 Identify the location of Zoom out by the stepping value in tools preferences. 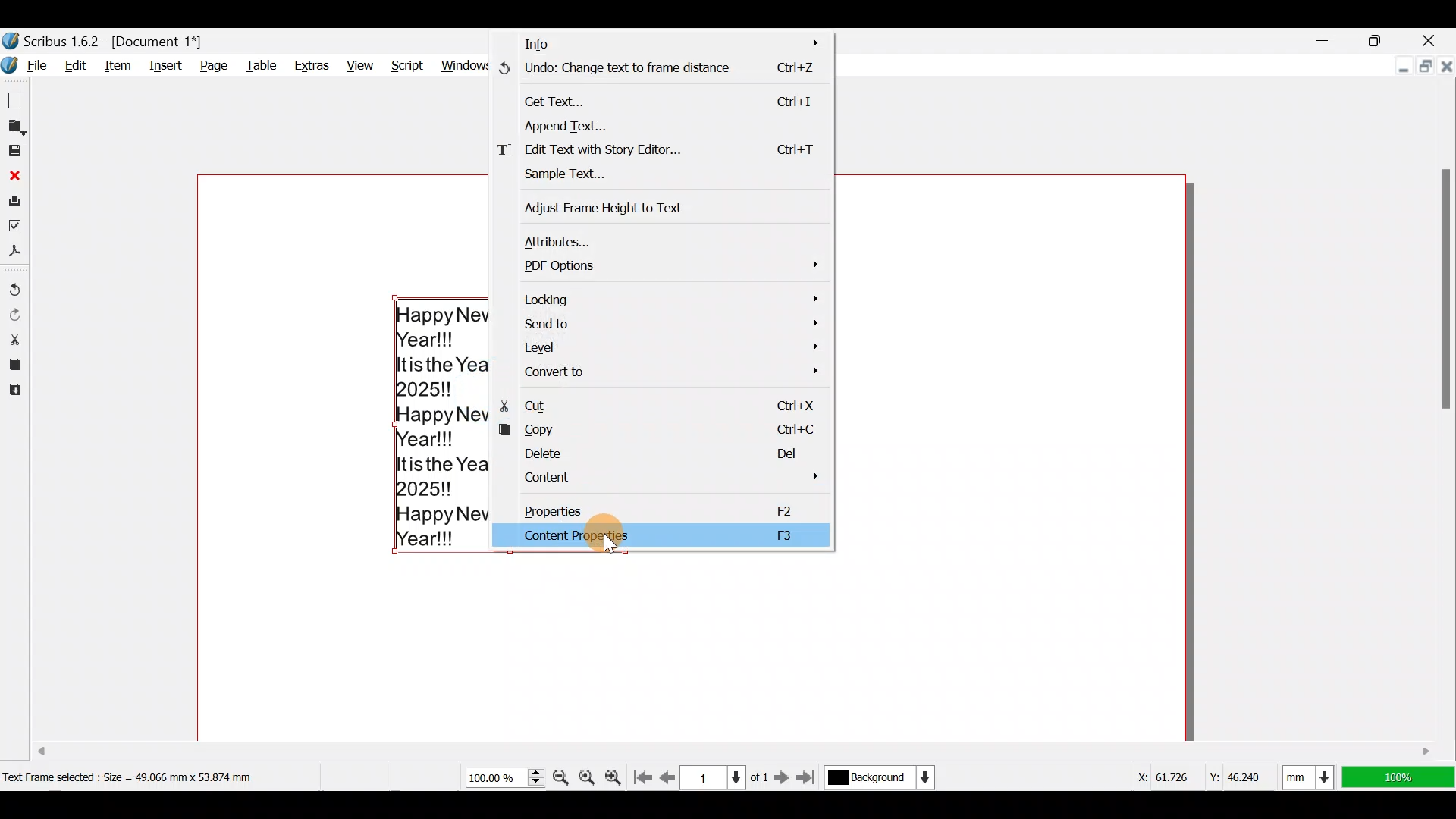
(563, 773).